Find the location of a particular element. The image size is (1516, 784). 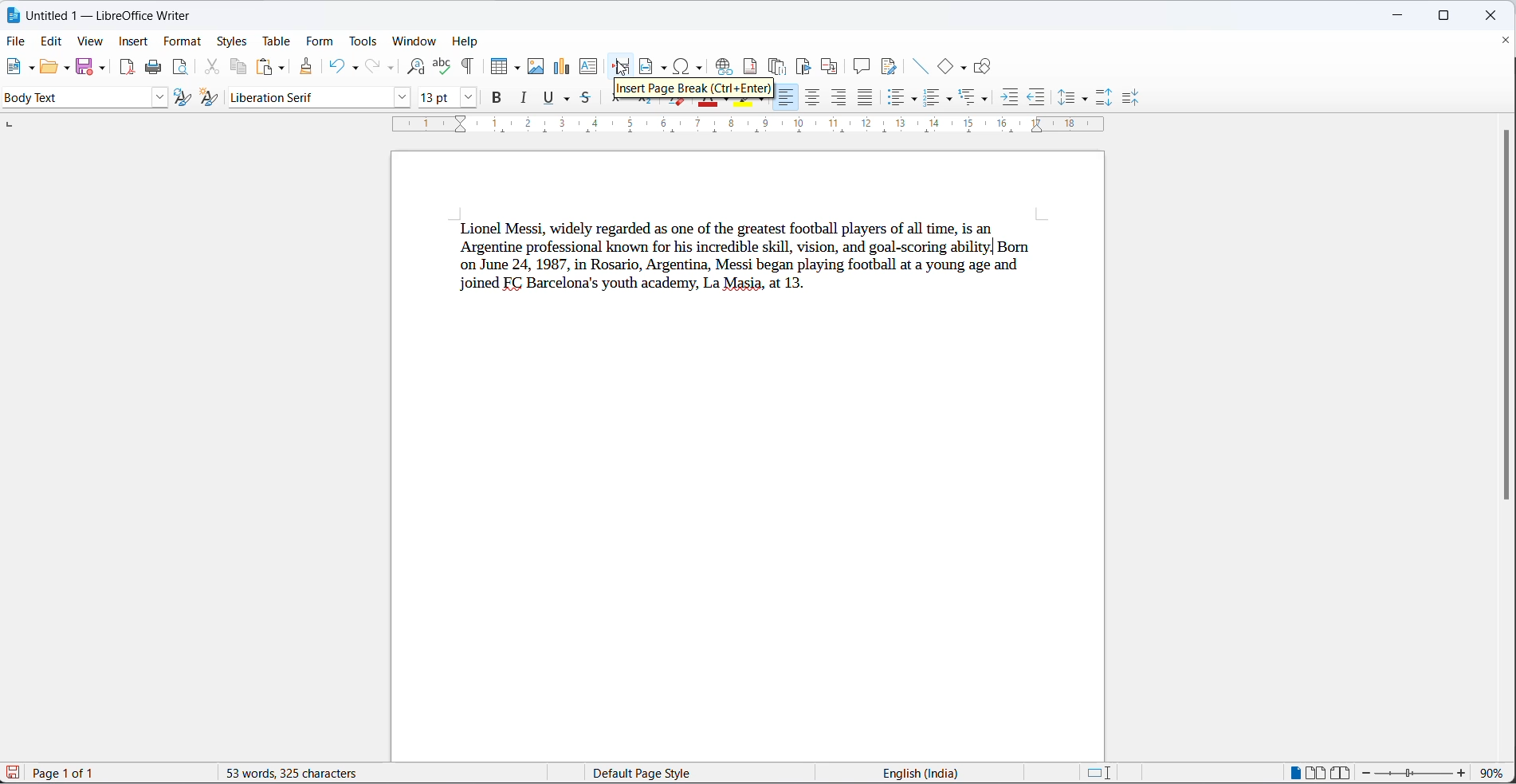

insert field is located at coordinates (654, 68).